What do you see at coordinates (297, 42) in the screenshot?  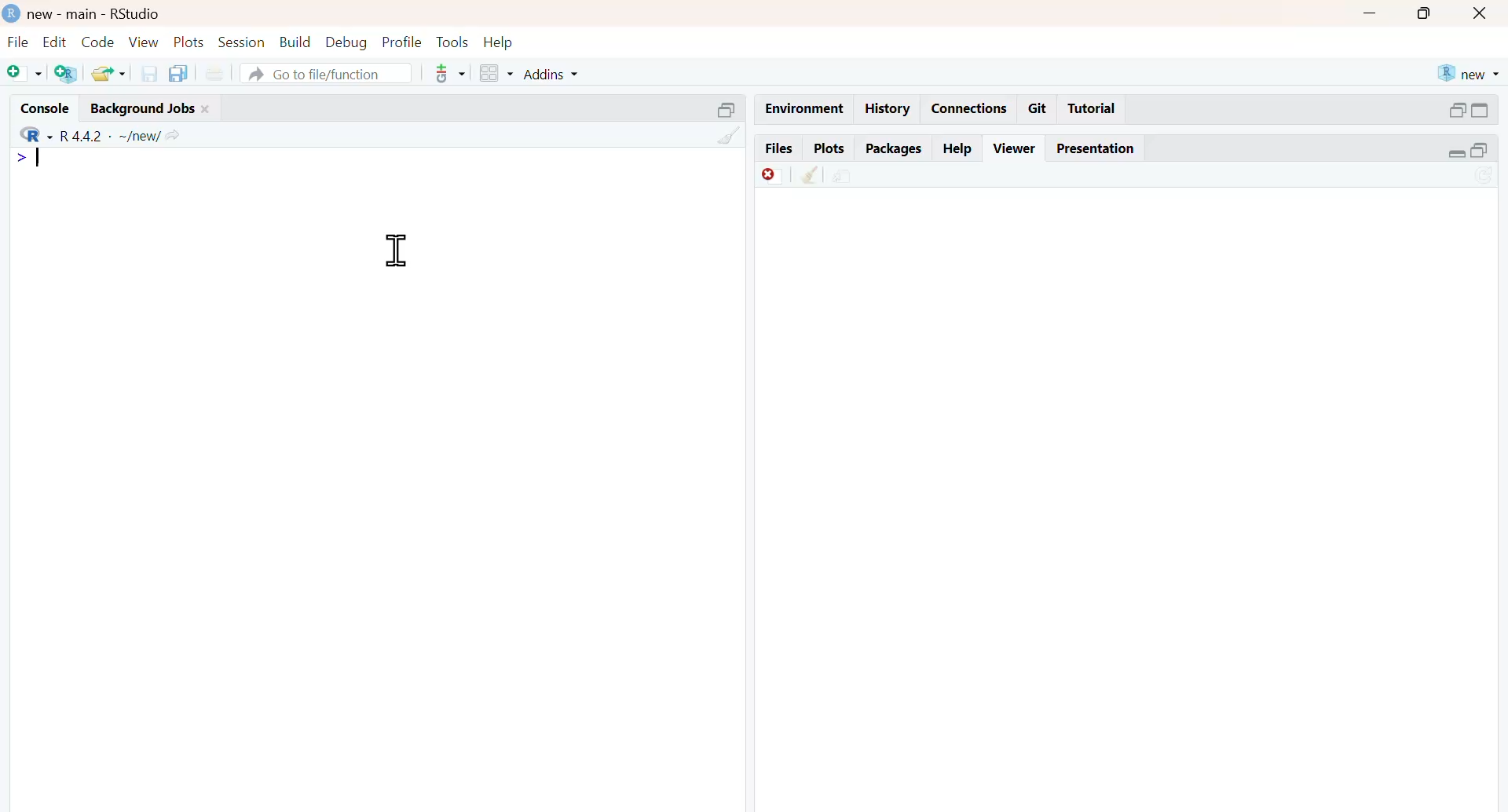 I see `build` at bounding box center [297, 42].